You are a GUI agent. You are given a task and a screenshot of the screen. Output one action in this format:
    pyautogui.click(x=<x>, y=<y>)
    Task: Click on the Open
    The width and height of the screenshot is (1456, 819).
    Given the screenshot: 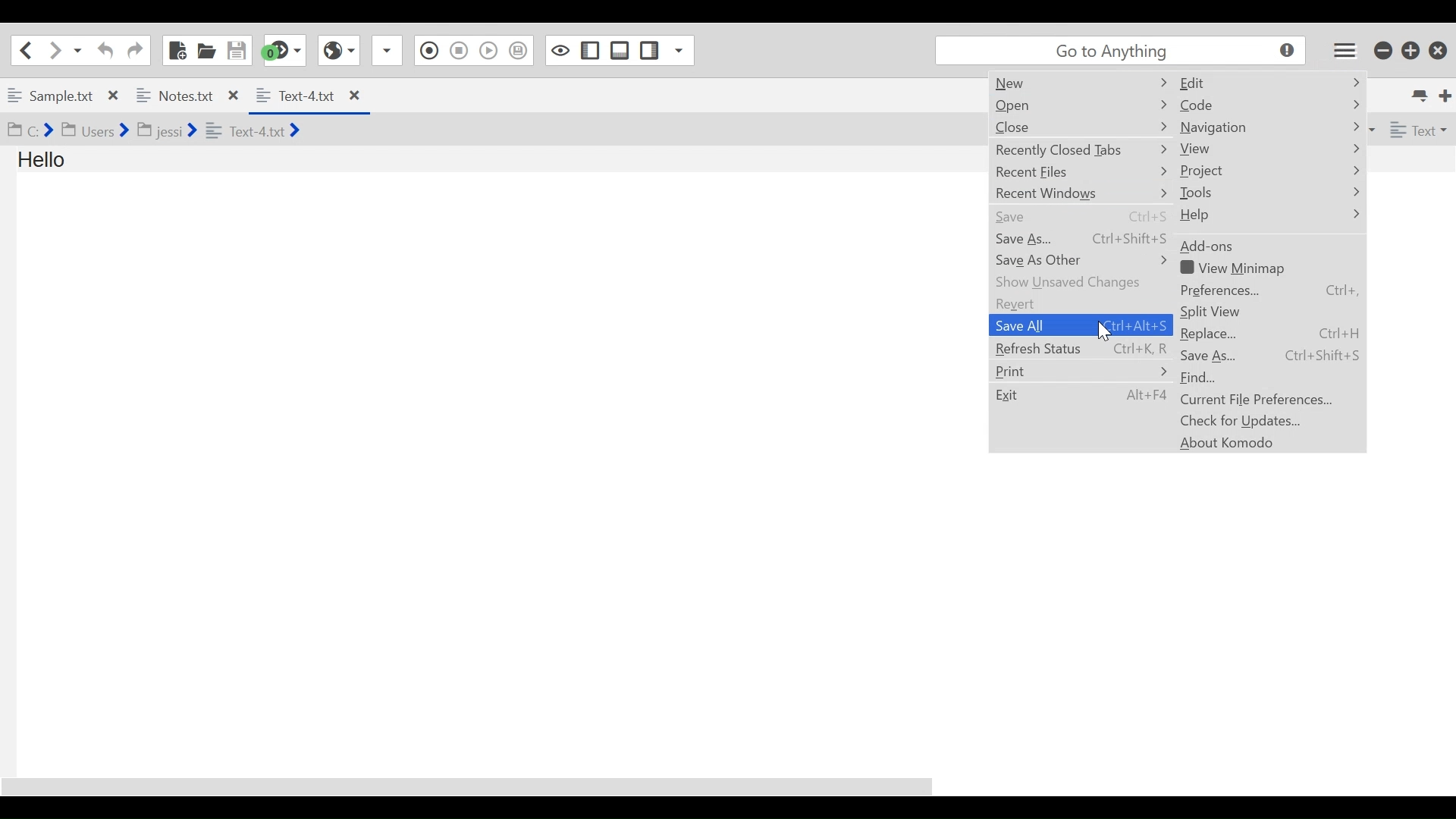 What is the action you would take?
    pyautogui.click(x=1081, y=105)
    